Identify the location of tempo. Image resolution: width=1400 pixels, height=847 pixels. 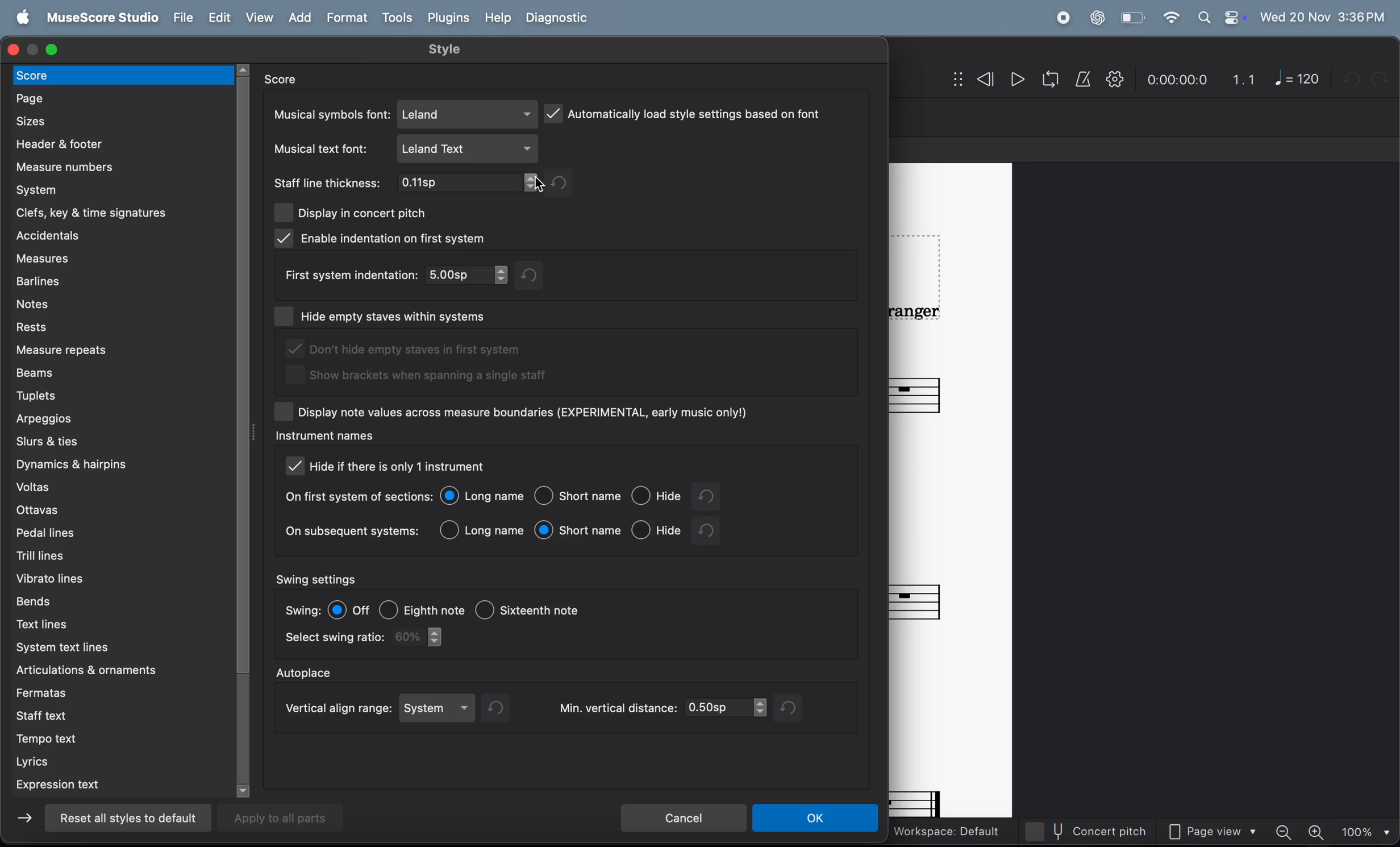
(123, 741).